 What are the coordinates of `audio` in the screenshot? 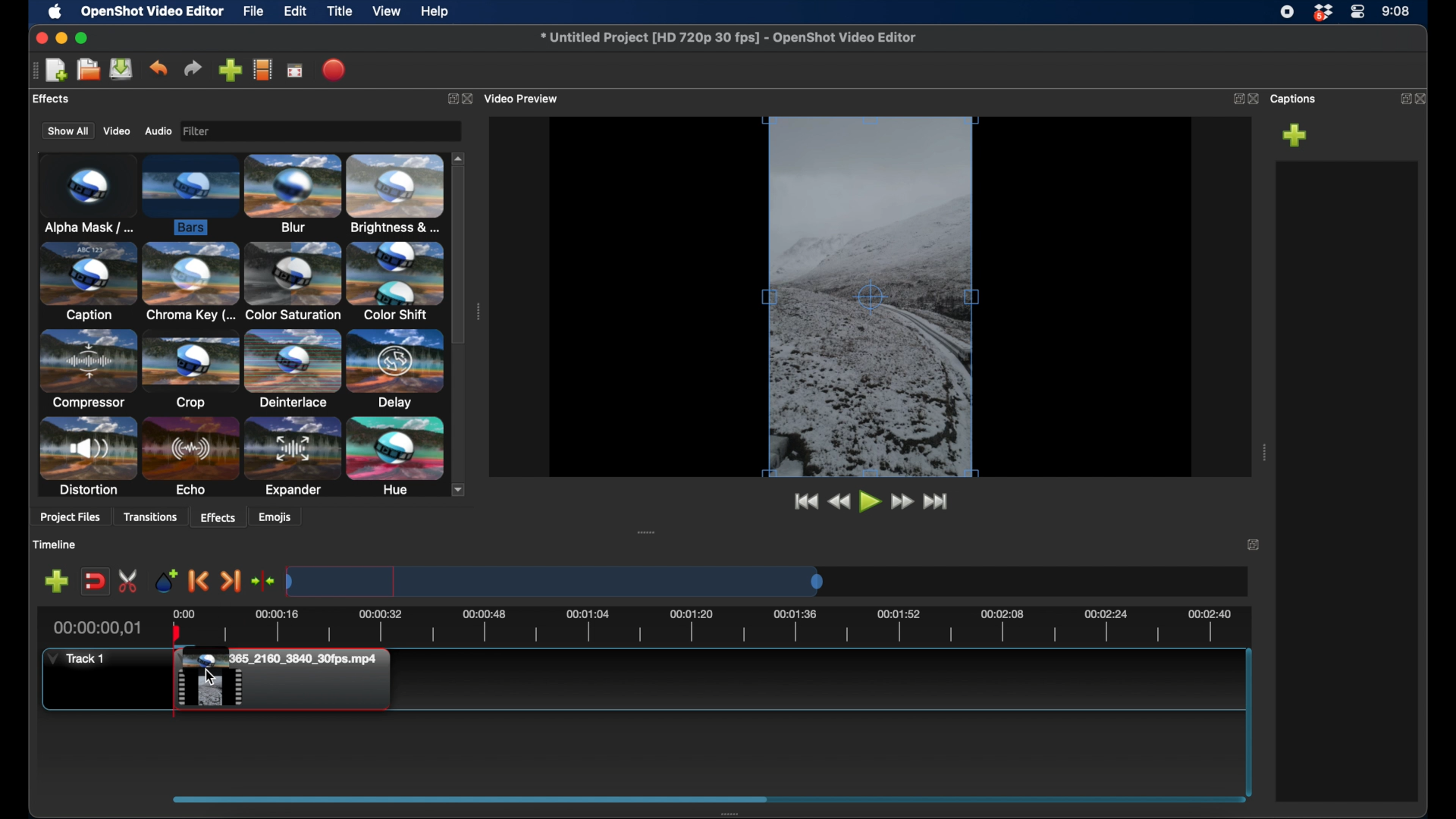 It's located at (158, 131).